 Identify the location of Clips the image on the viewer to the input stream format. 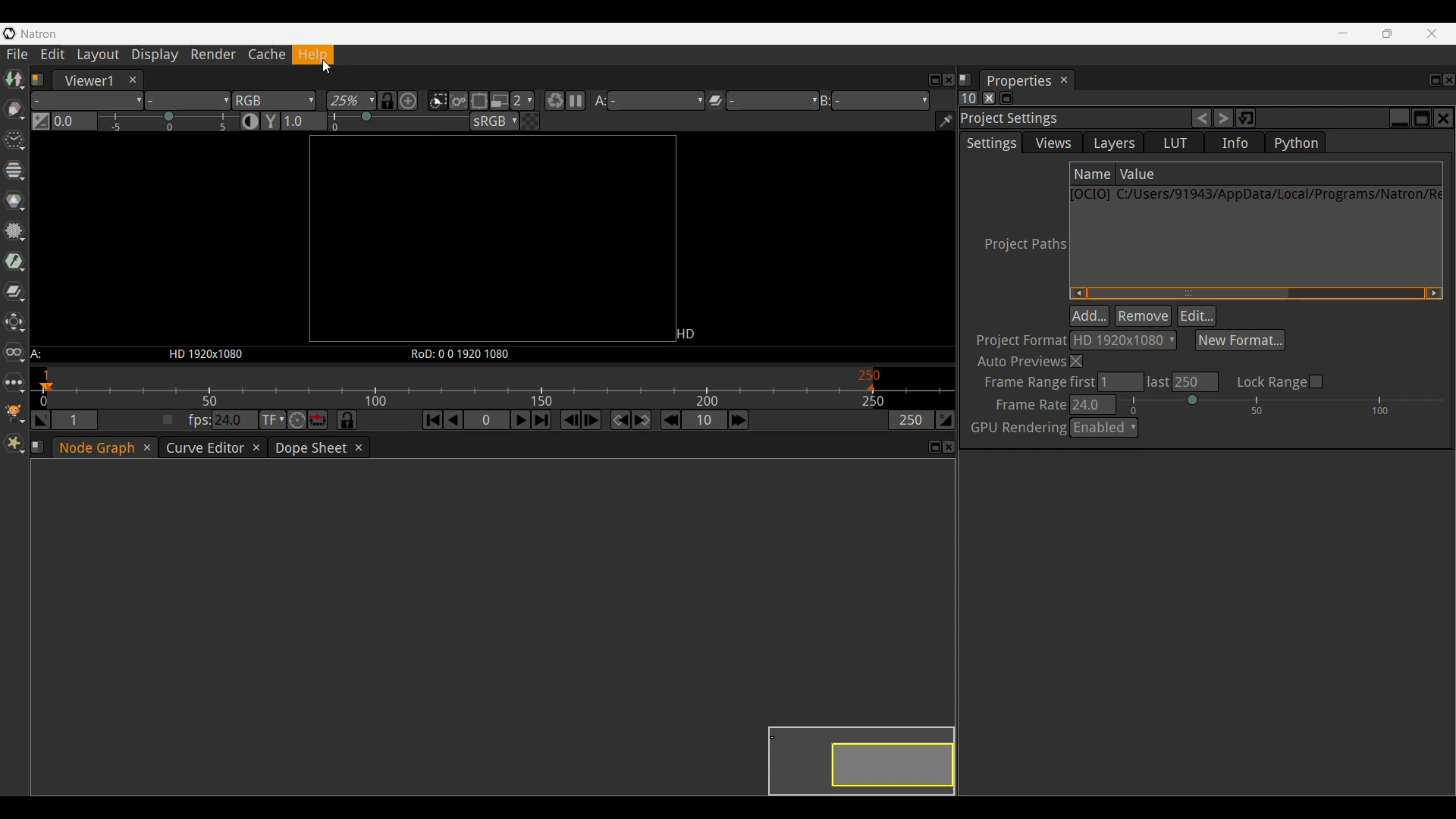
(438, 101).